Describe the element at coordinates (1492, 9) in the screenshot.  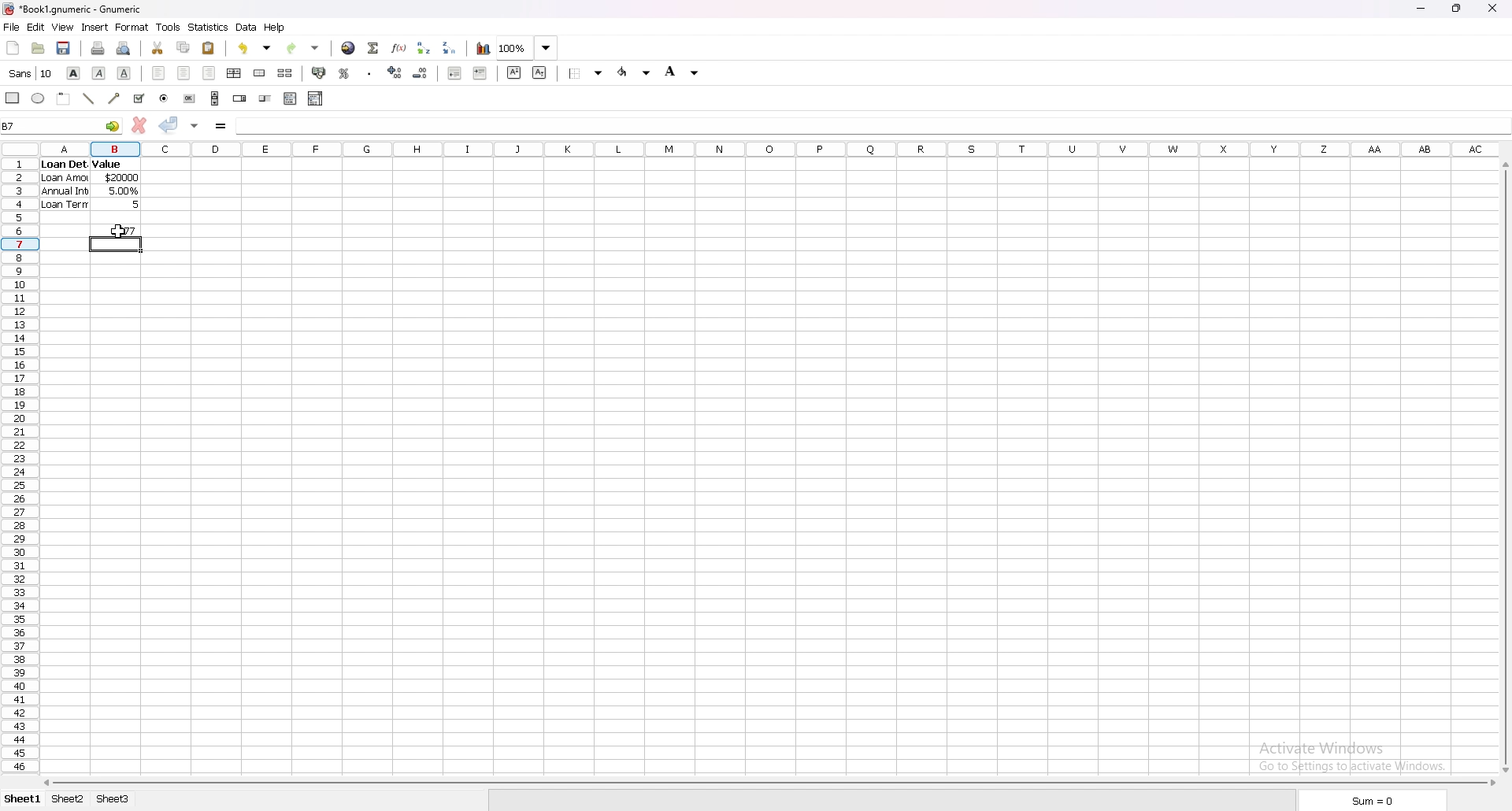
I see `close` at that location.